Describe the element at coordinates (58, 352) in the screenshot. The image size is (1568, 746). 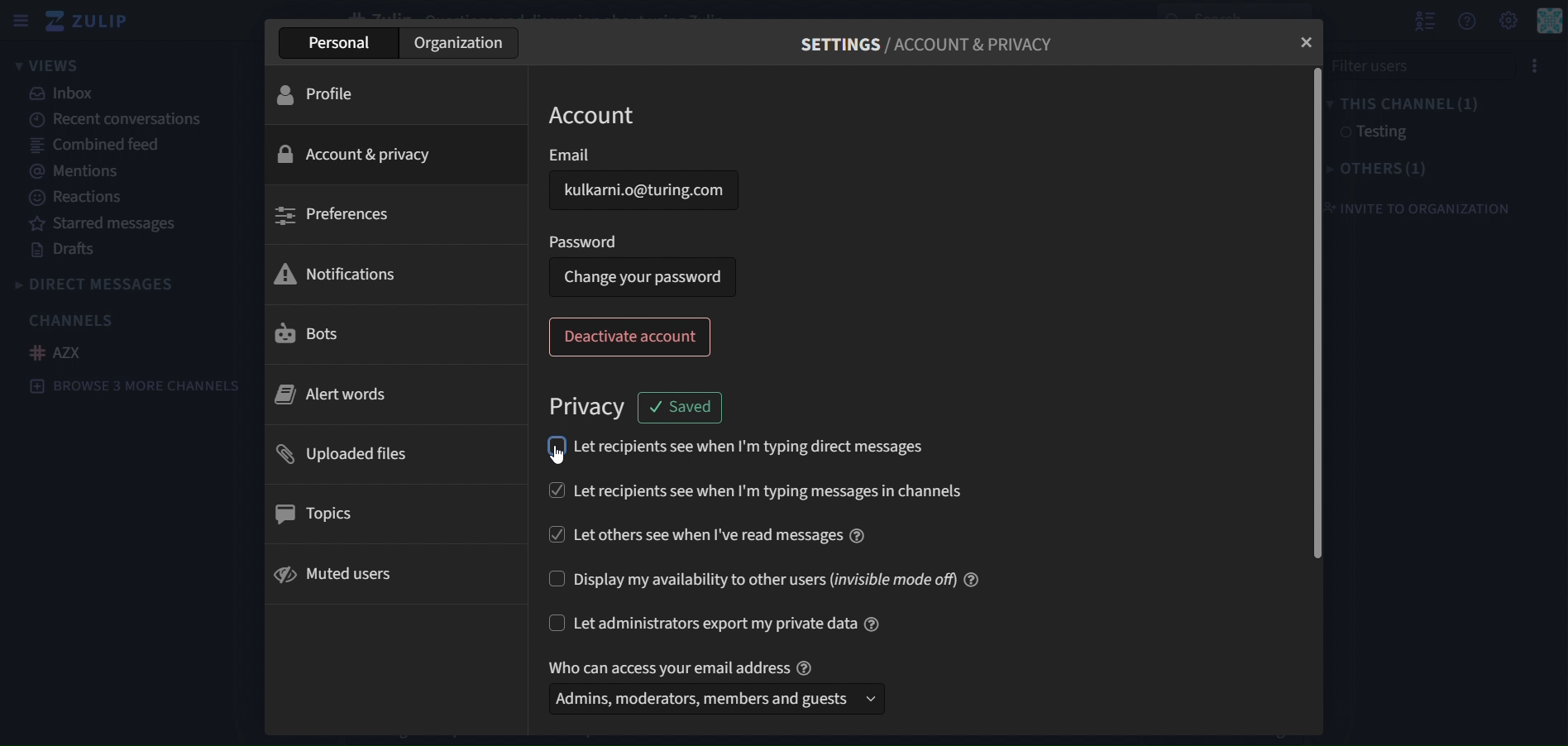
I see `AZX` at that location.